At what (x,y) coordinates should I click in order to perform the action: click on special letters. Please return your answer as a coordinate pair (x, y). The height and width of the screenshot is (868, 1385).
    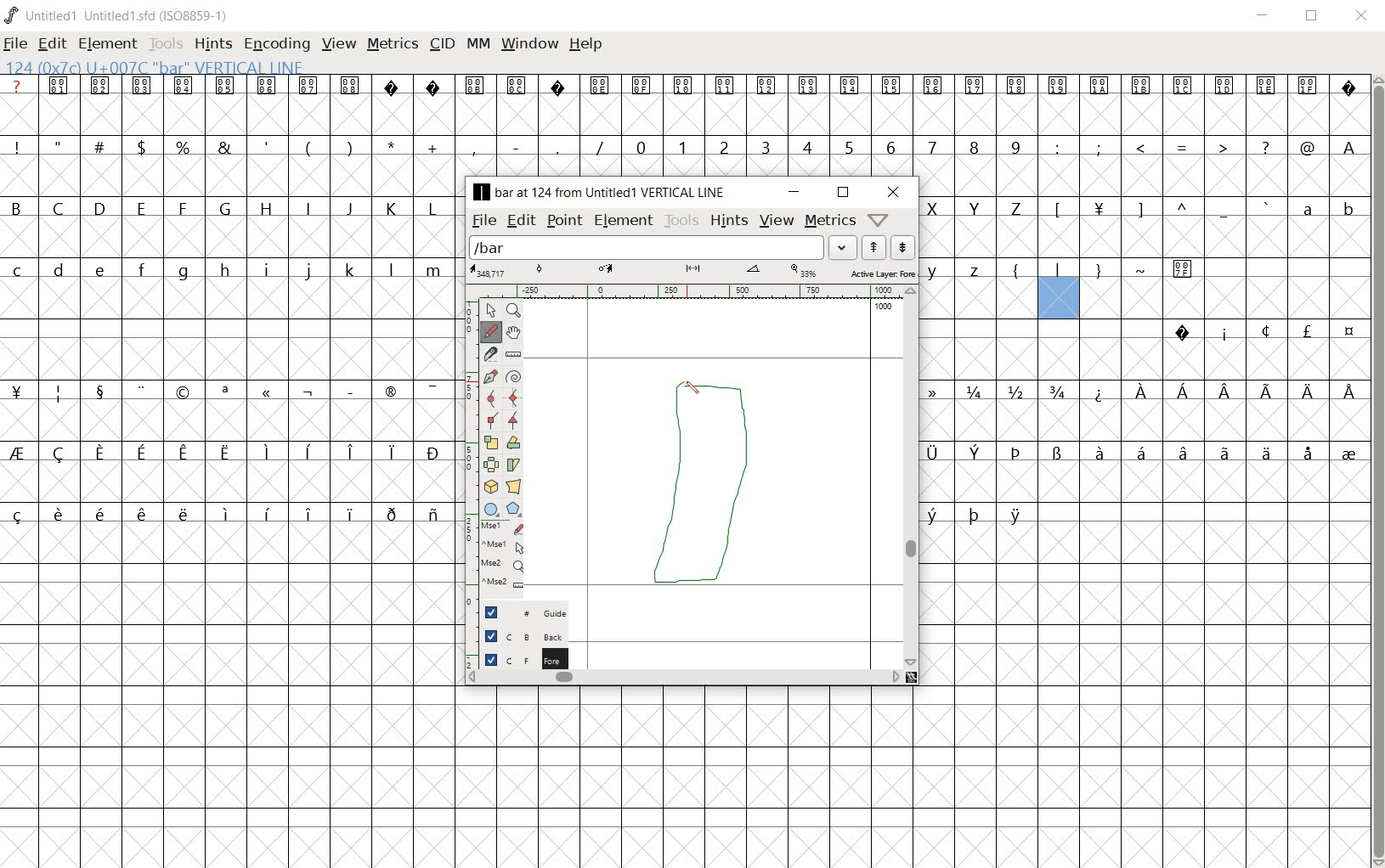
    Looking at the image, I should click on (229, 452).